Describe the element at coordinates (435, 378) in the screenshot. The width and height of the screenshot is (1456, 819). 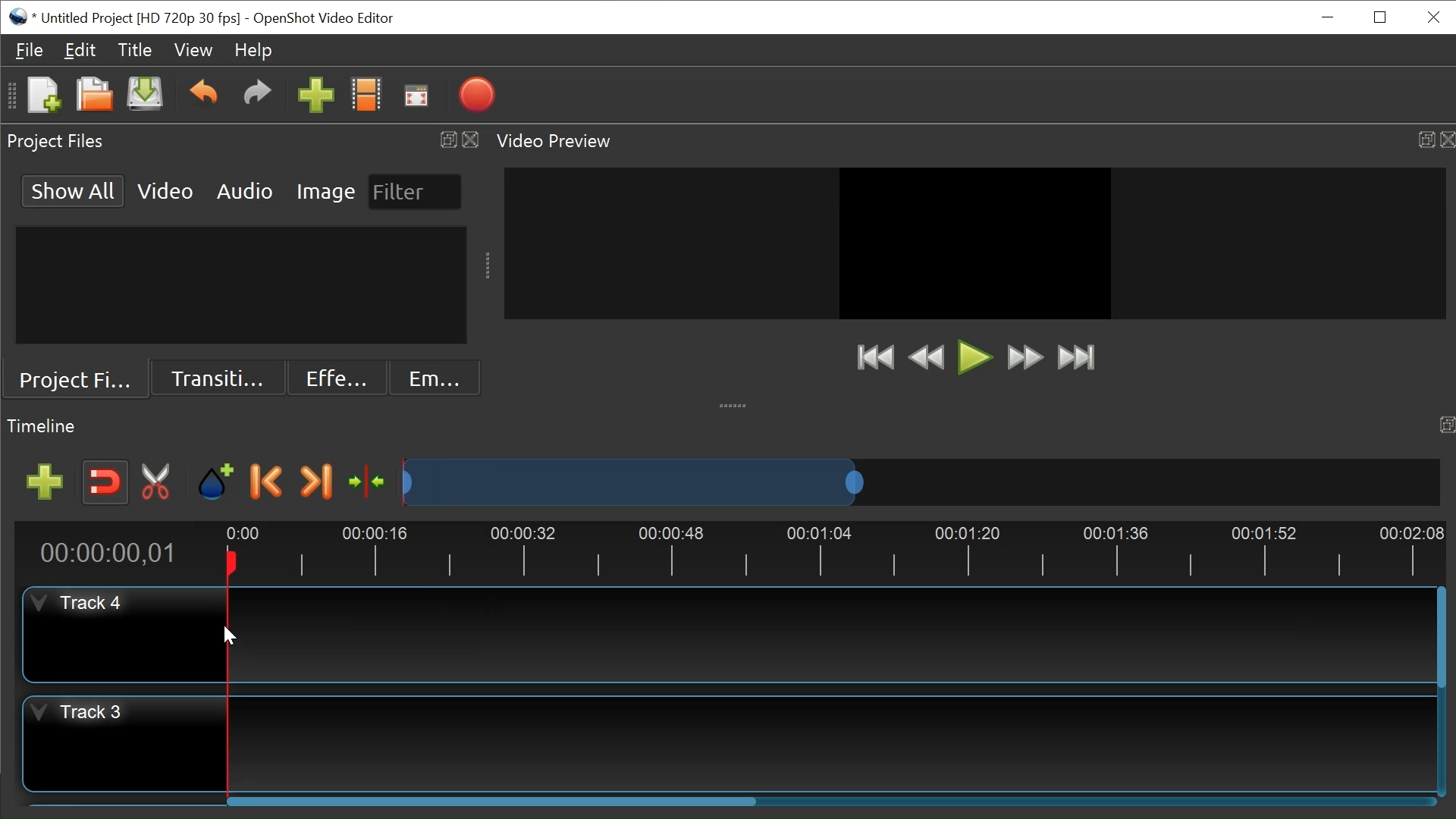
I see `Emoji` at that location.